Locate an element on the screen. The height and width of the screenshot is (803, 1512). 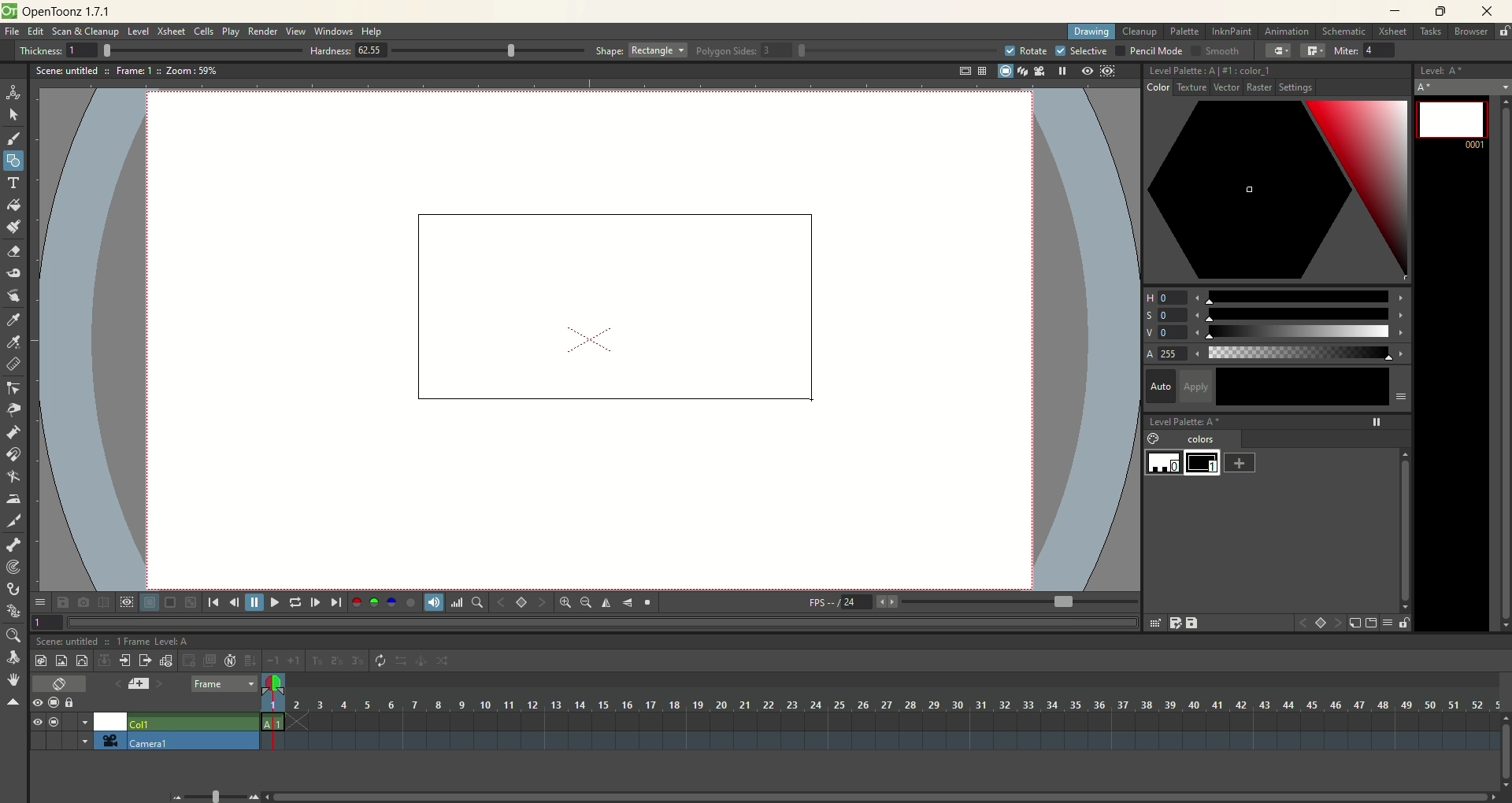
clean up is located at coordinates (1140, 32).